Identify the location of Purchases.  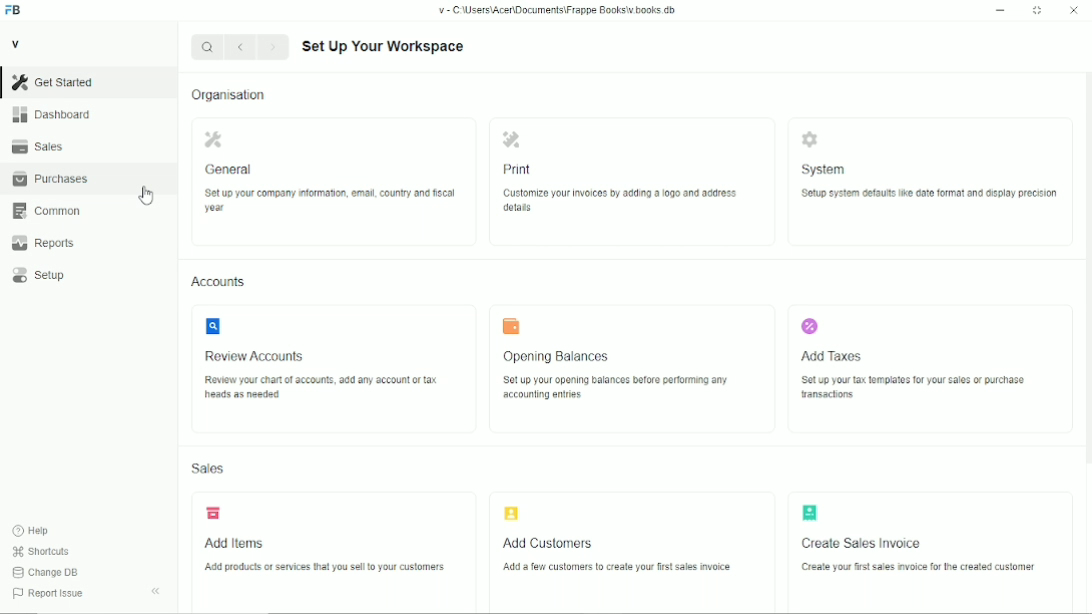
(53, 178).